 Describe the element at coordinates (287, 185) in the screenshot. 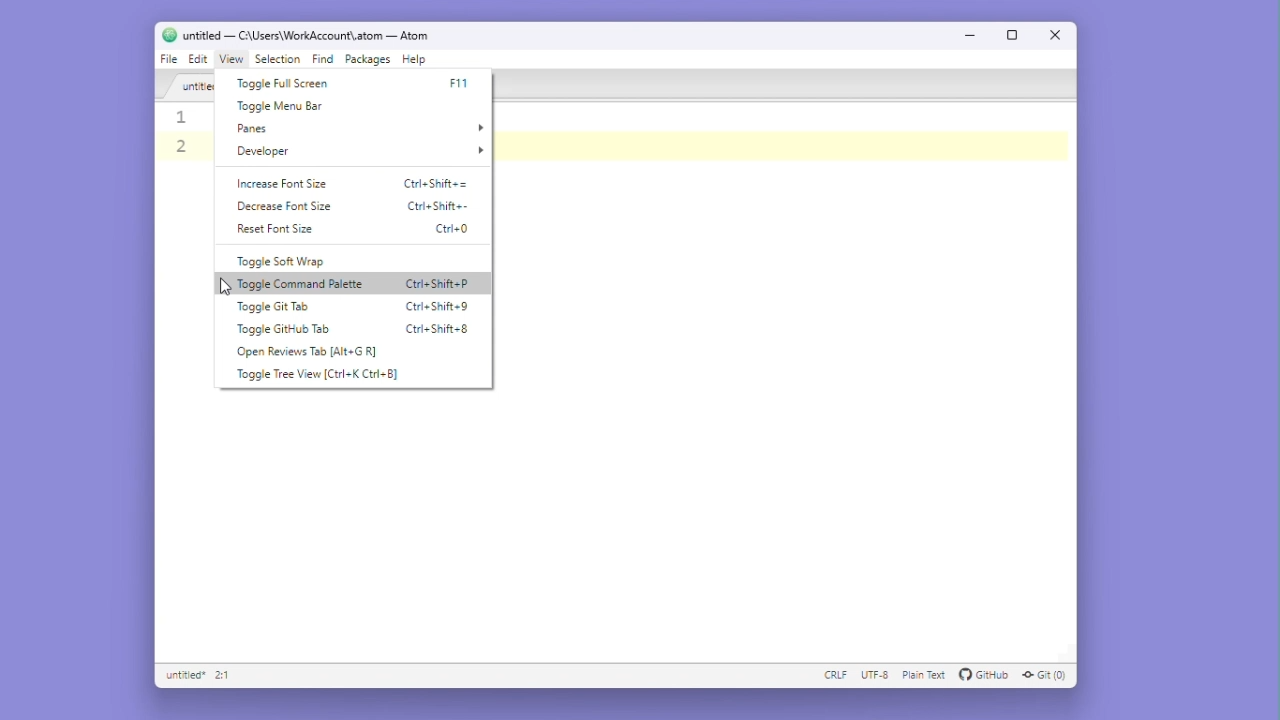

I see `Increase font size` at that location.